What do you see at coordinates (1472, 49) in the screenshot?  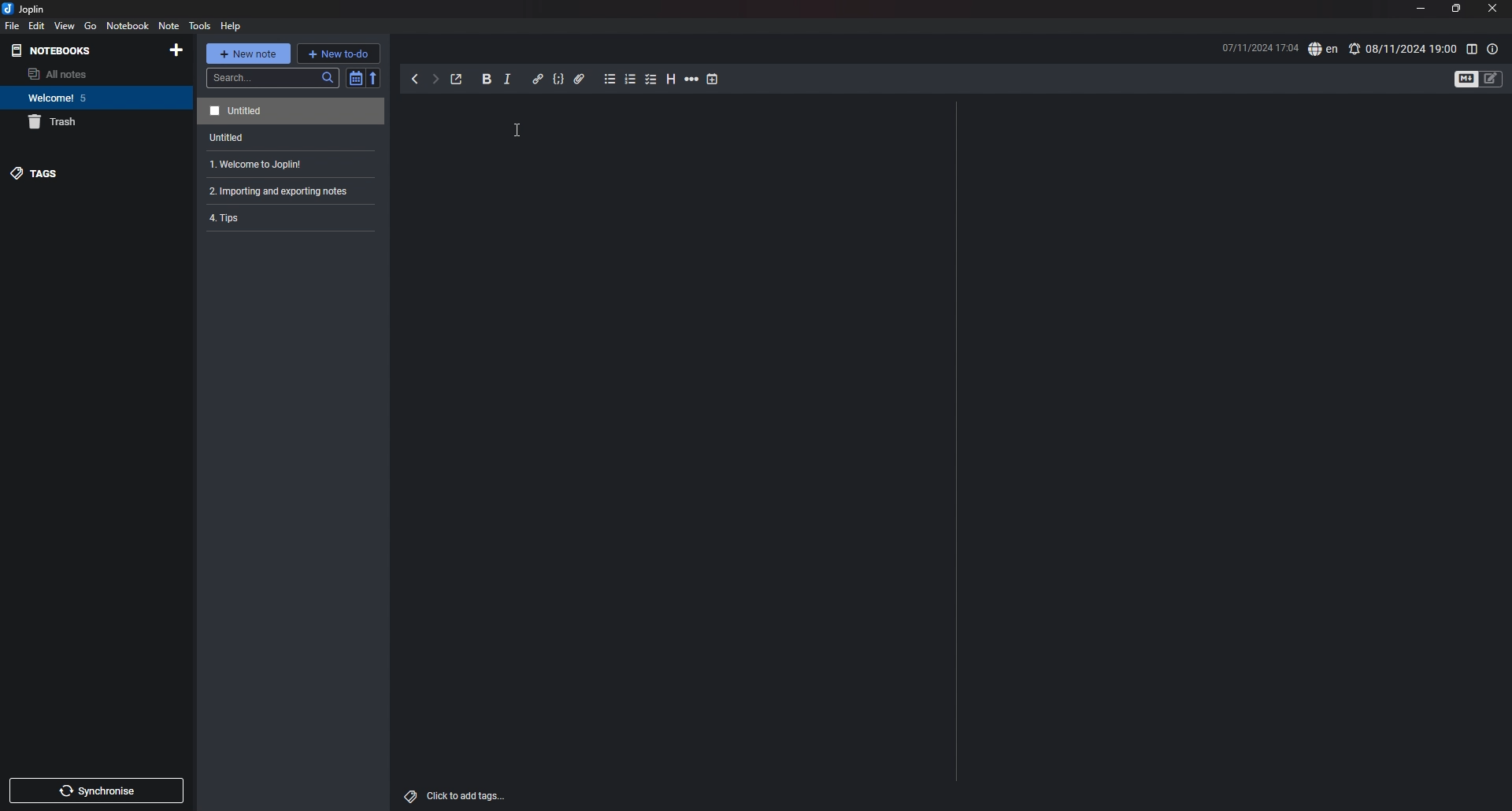 I see `toggle editor layout` at bounding box center [1472, 49].